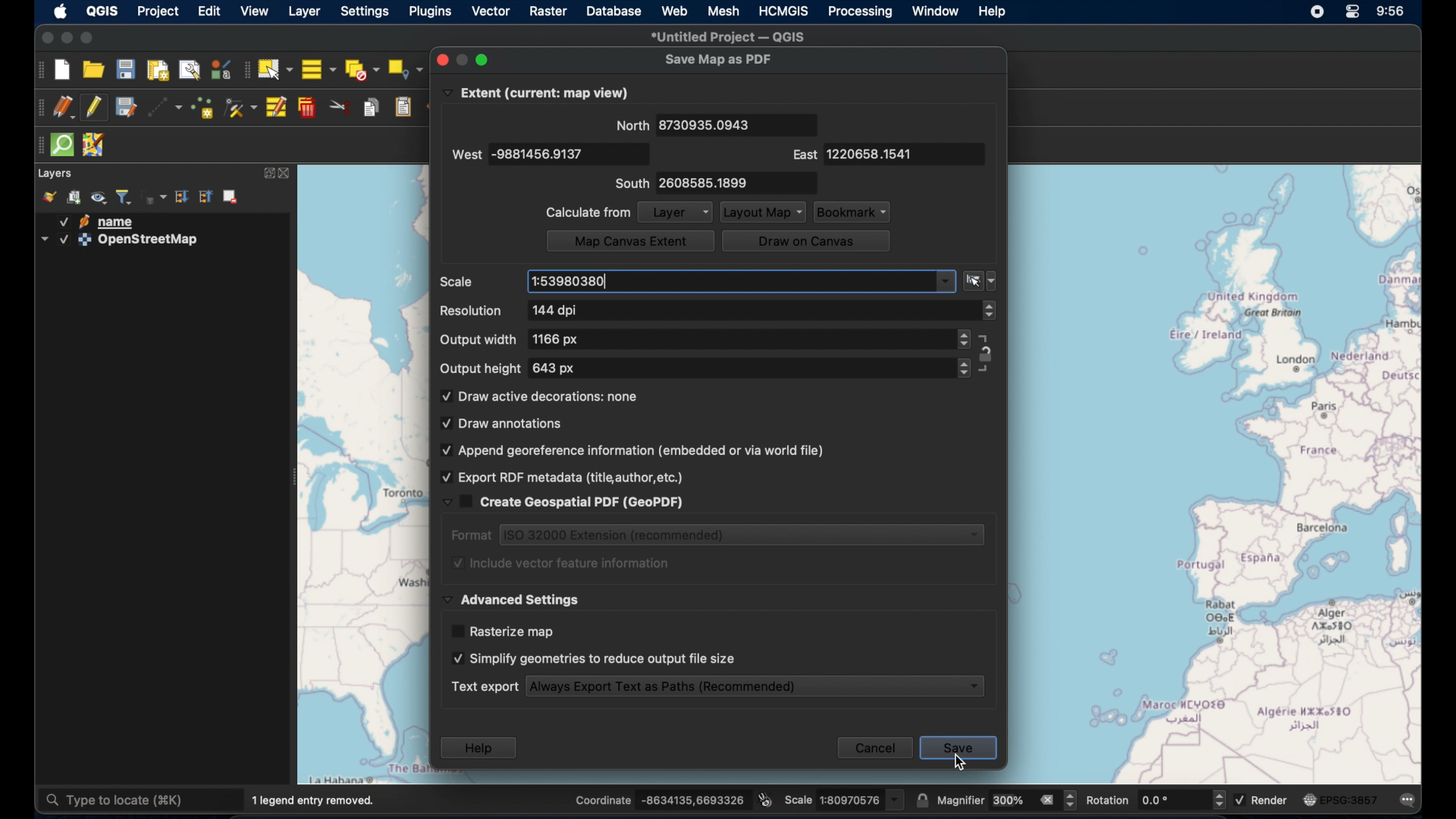  I want to click on current csr, so click(1341, 800).